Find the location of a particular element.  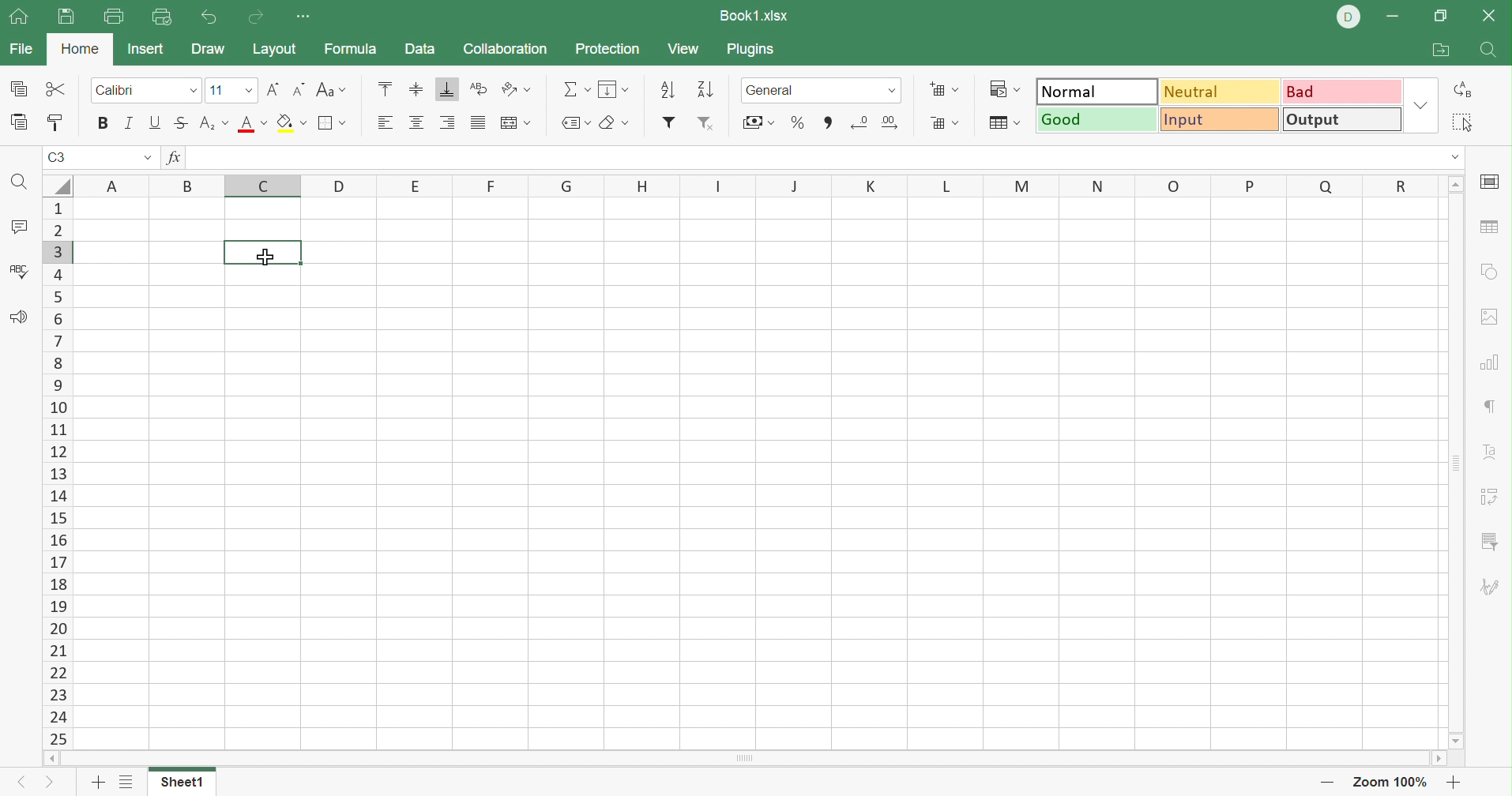

Merge and center is located at coordinates (517, 124).